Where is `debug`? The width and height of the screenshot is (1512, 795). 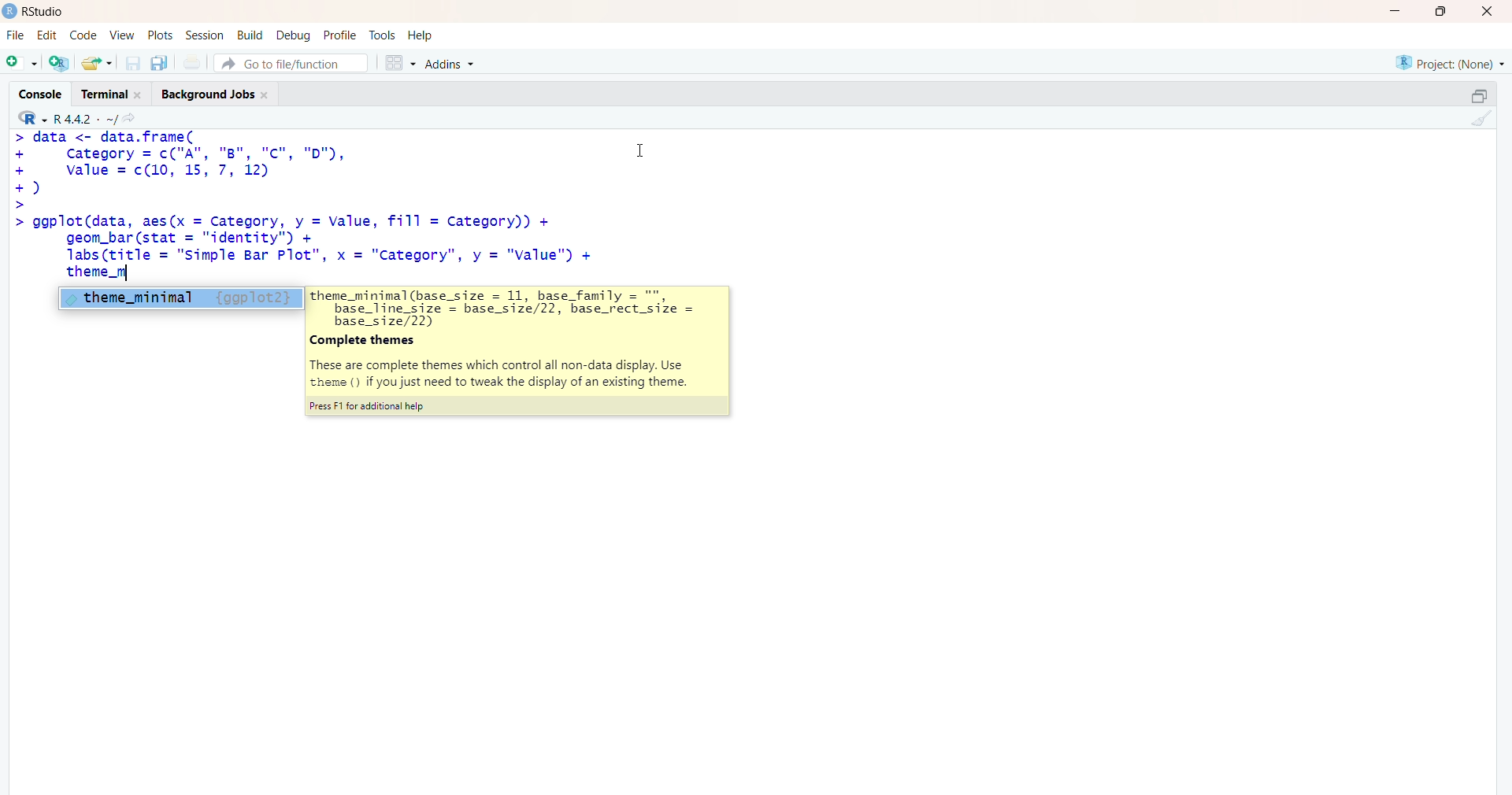 debug is located at coordinates (294, 35).